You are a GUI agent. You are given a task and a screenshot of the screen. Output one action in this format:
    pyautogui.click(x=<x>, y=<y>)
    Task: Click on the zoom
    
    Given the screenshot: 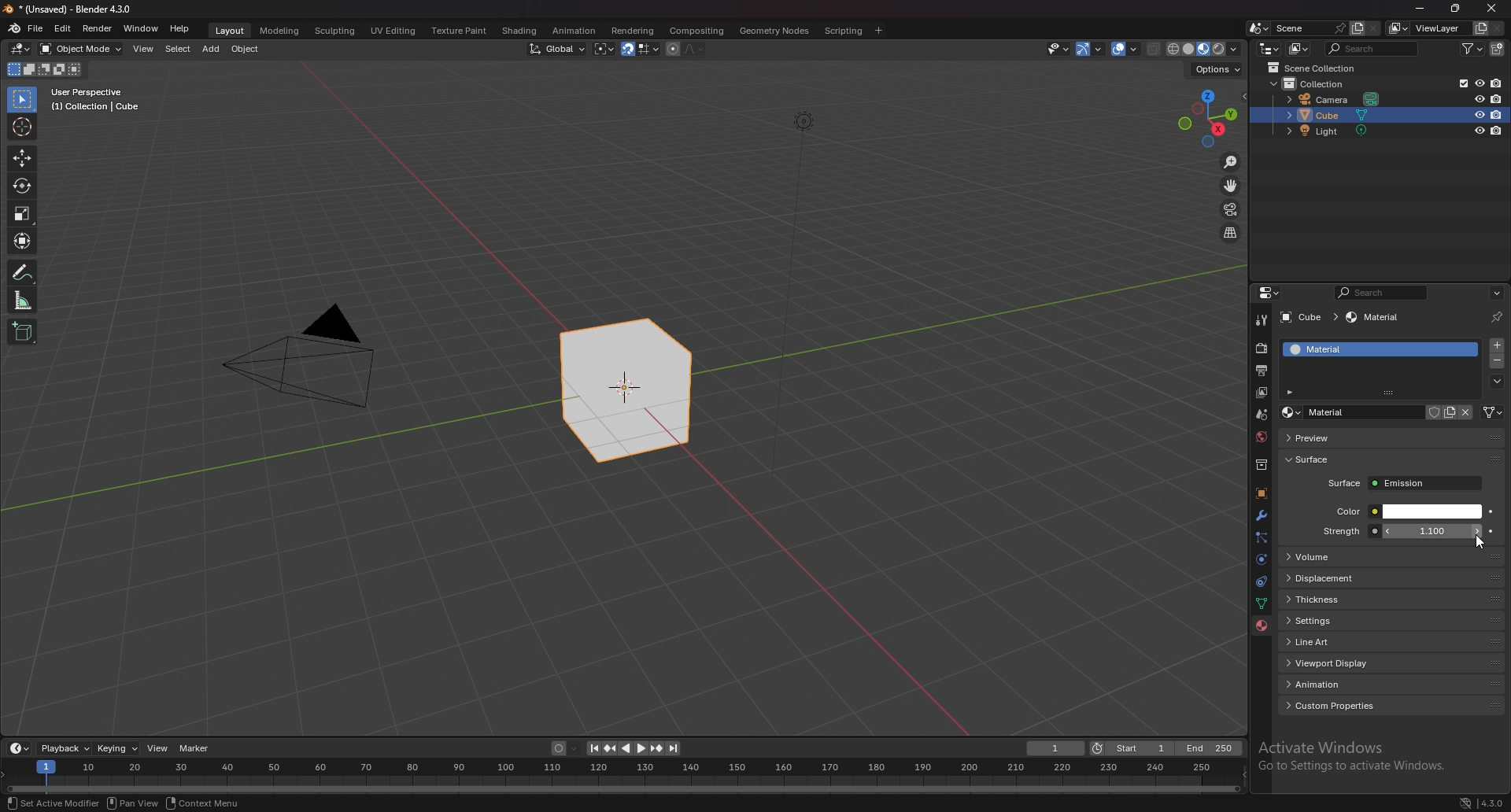 What is the action you would take?
    pyautogui.click(x=1231, y=164)
    